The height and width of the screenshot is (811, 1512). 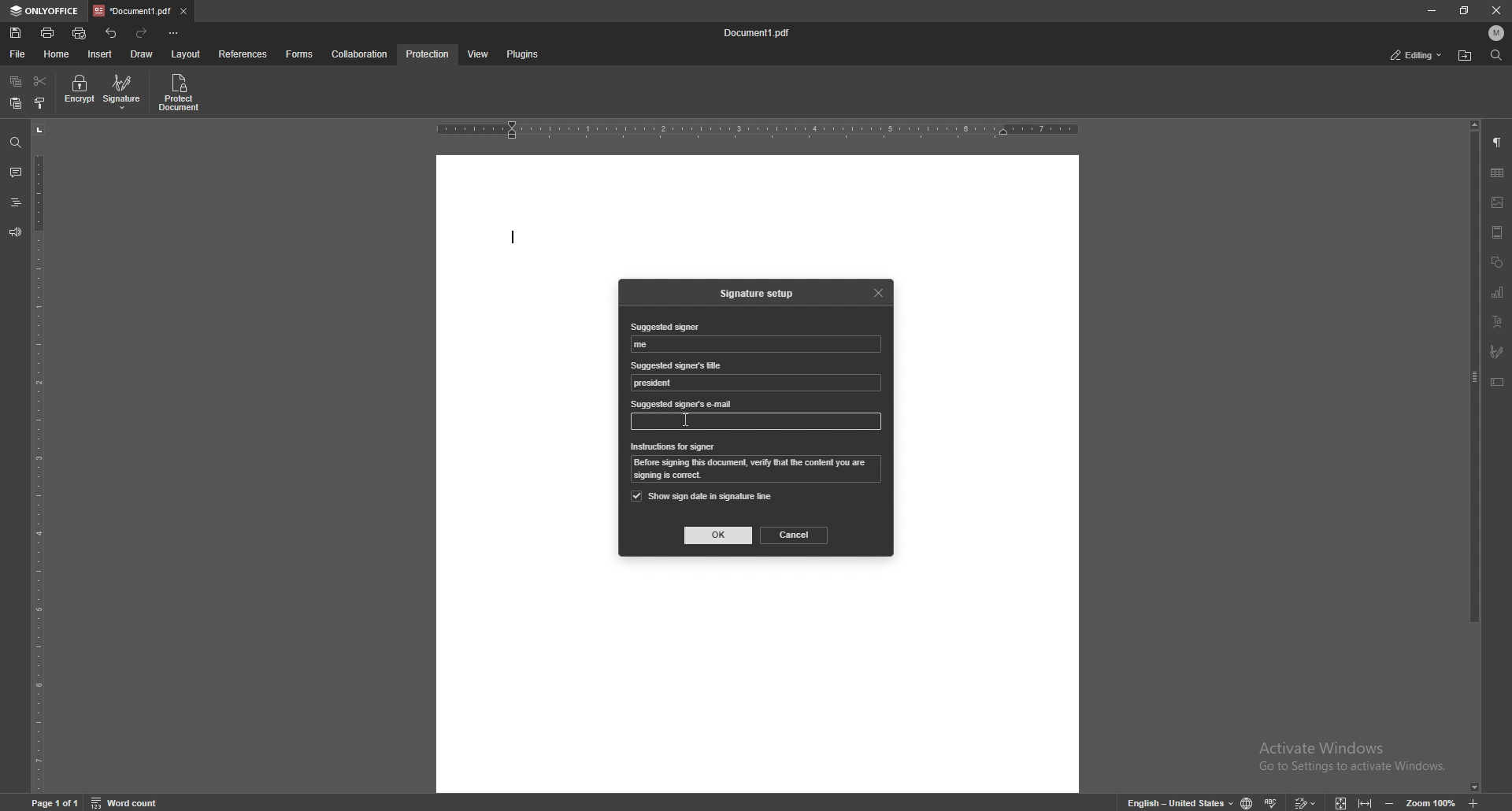 What do you see at coordinates (1496, 56) in the screenshot?
I see `find` at bounding box center [1496, 56].